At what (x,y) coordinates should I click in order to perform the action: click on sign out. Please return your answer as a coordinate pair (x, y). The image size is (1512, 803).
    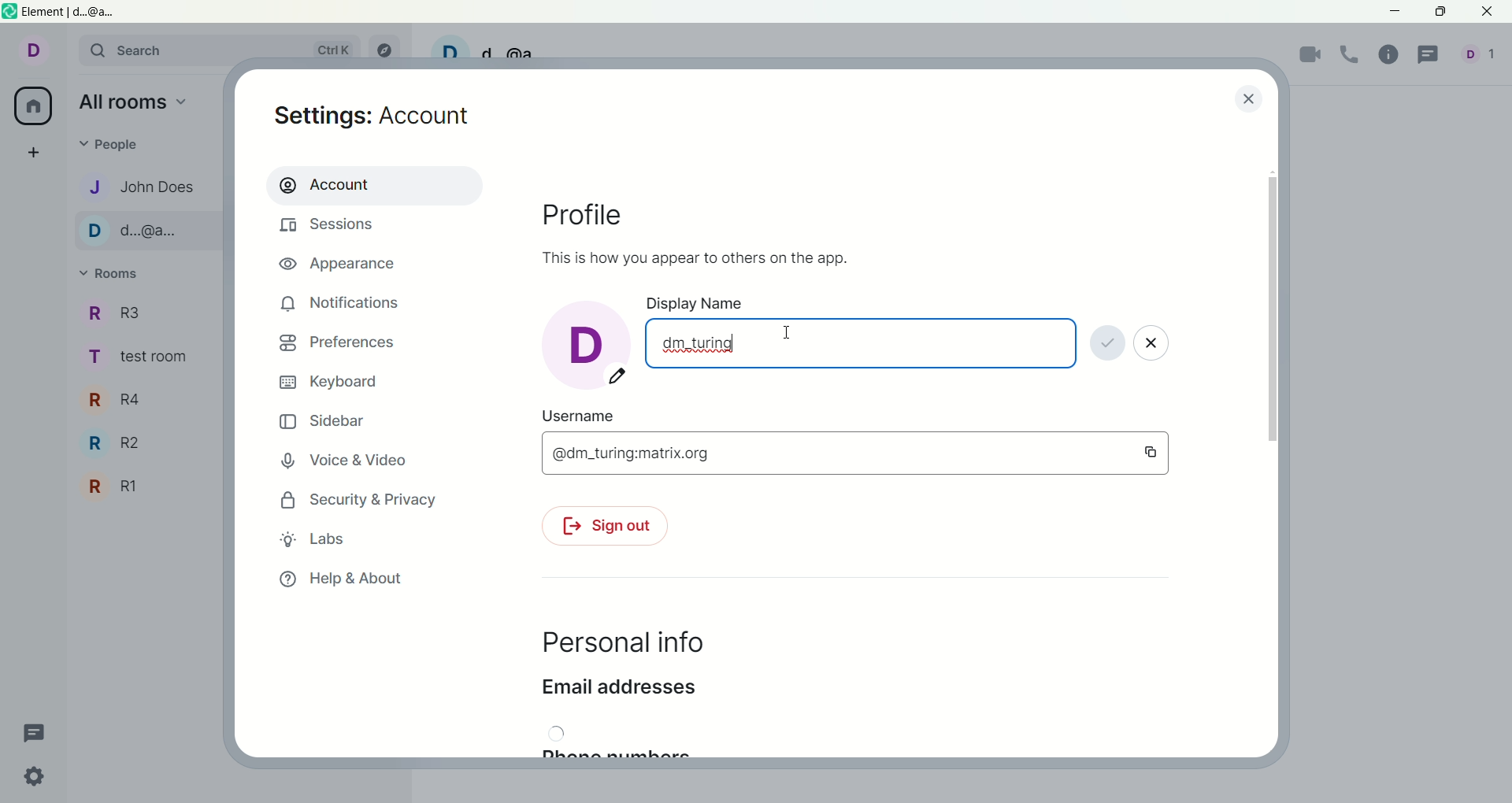
    Looking at the image, I should click on (602, 528).